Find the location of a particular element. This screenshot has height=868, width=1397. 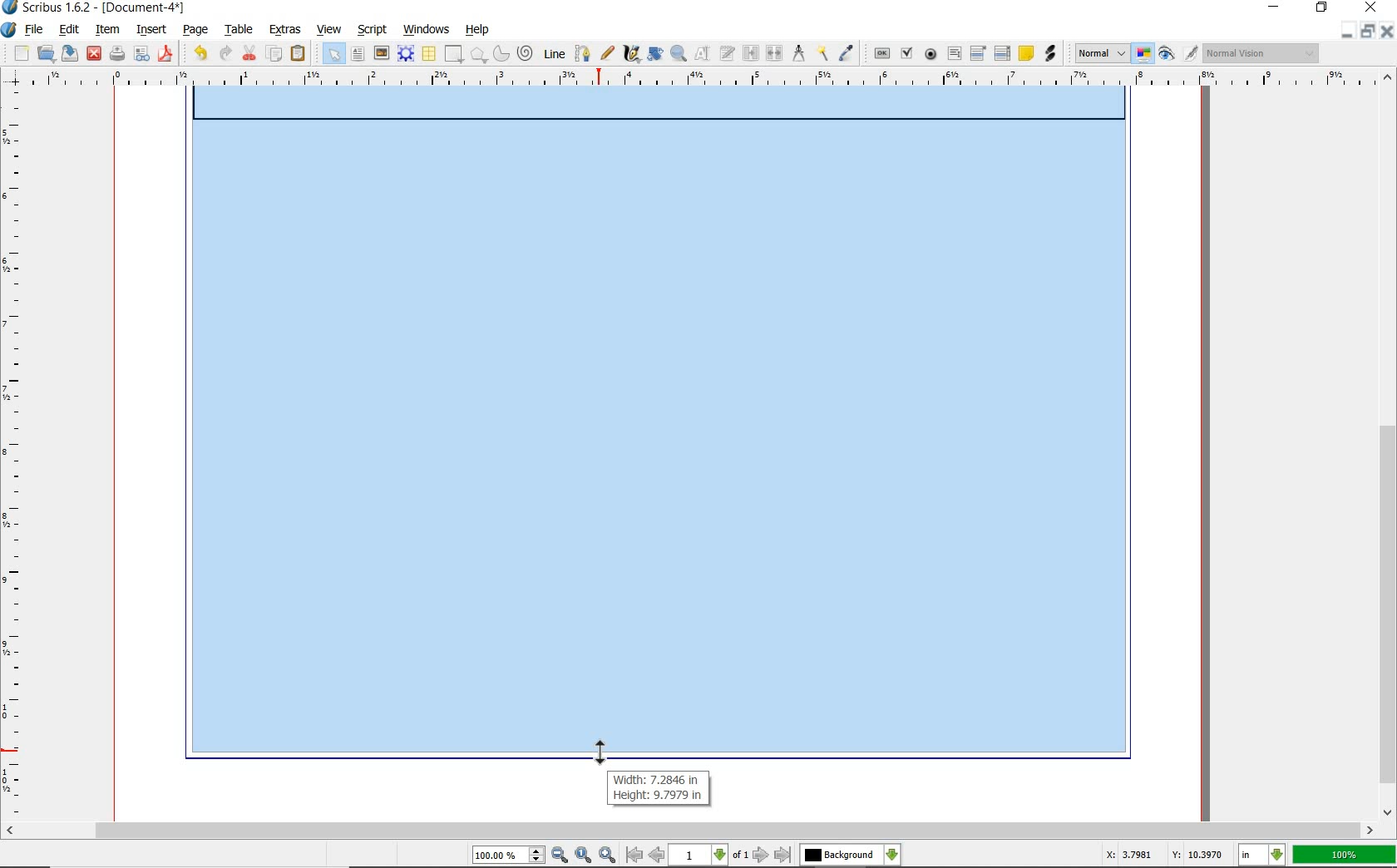

close is located at coordinates (1370, 8).